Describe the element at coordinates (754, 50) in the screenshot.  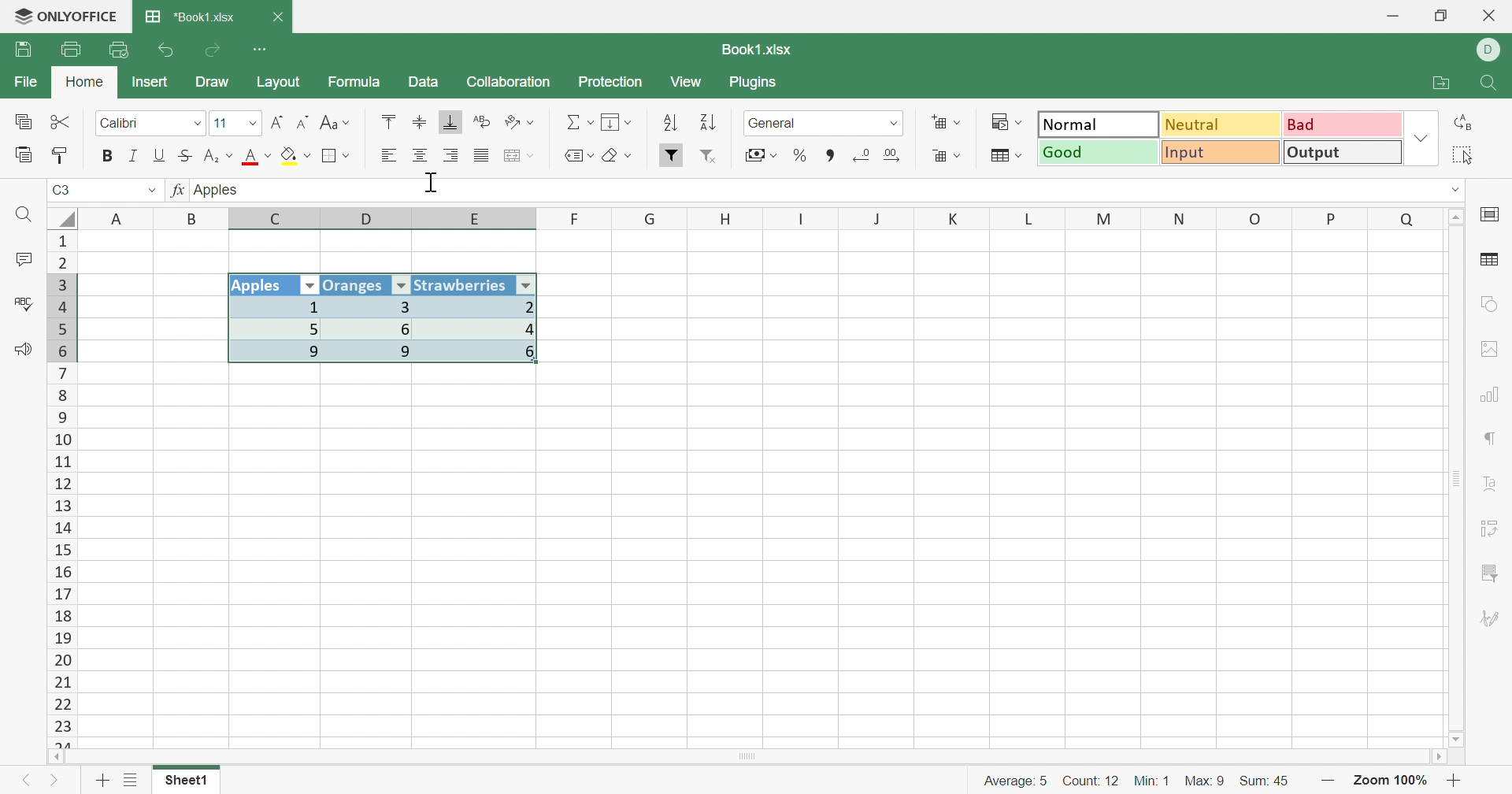
I see `Book1.xlsx` at that location.